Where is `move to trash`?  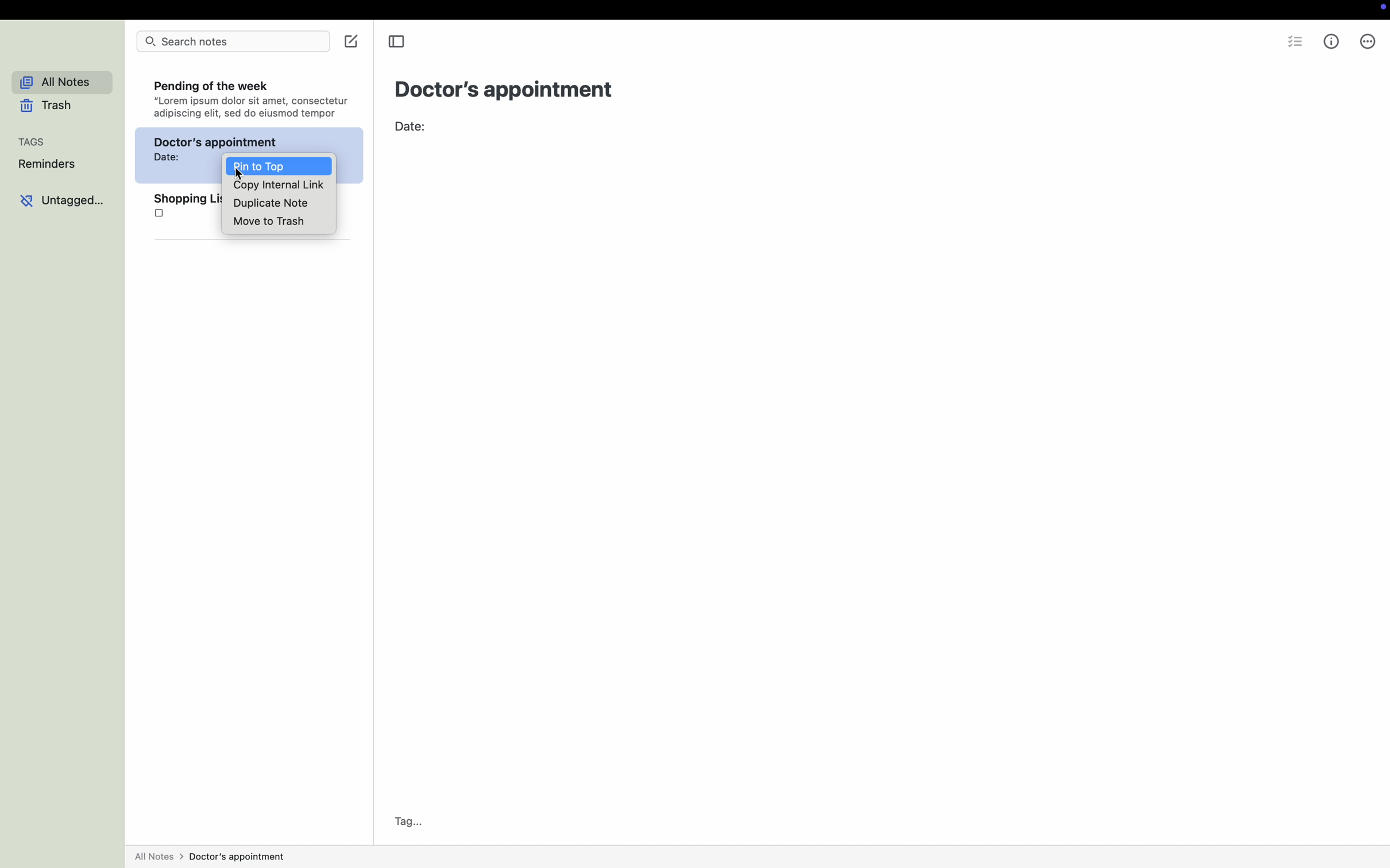 move to trash is located at coordinates (273, 221).